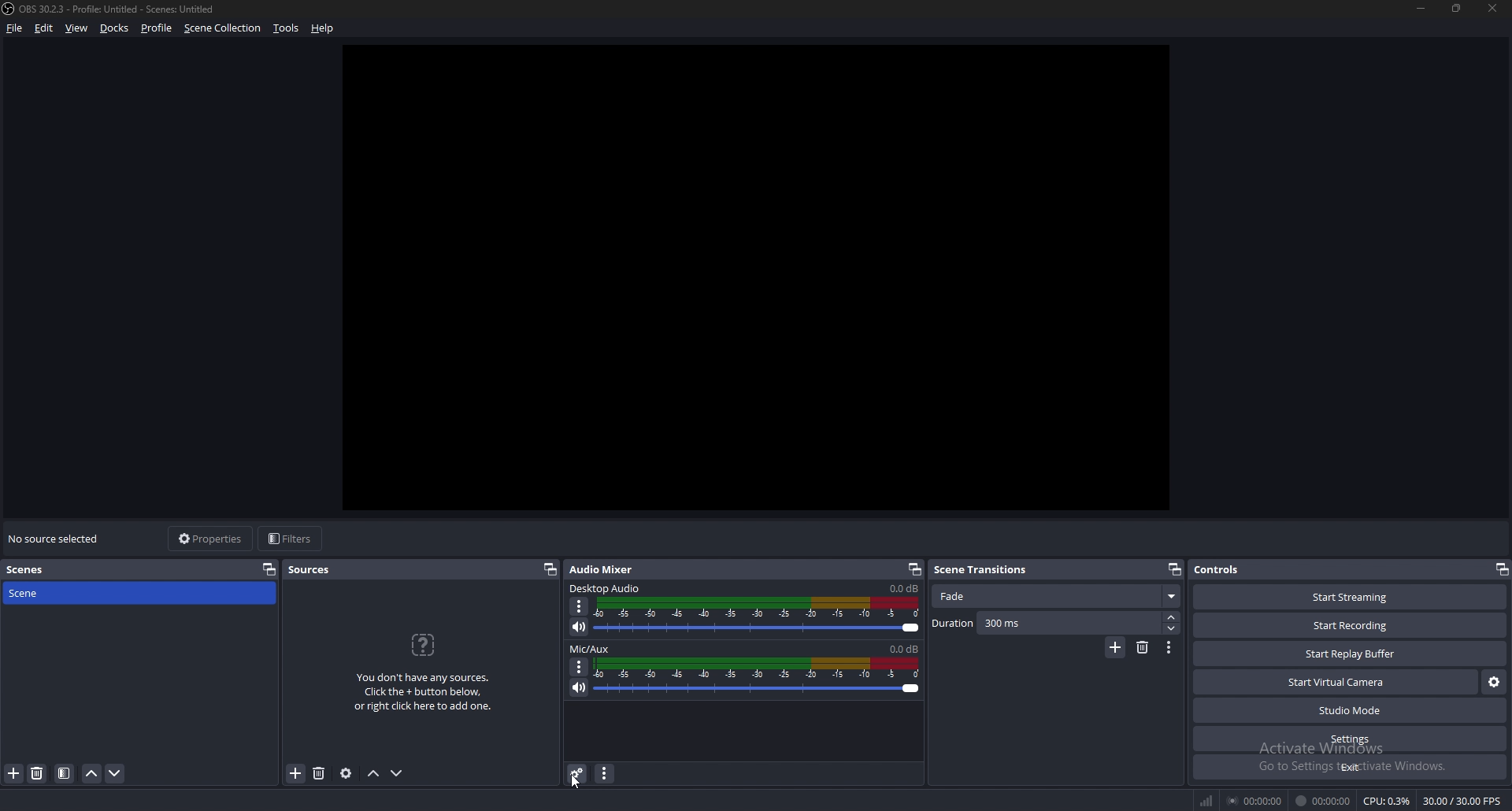  I want to click on remove filter, so click(38, 773).